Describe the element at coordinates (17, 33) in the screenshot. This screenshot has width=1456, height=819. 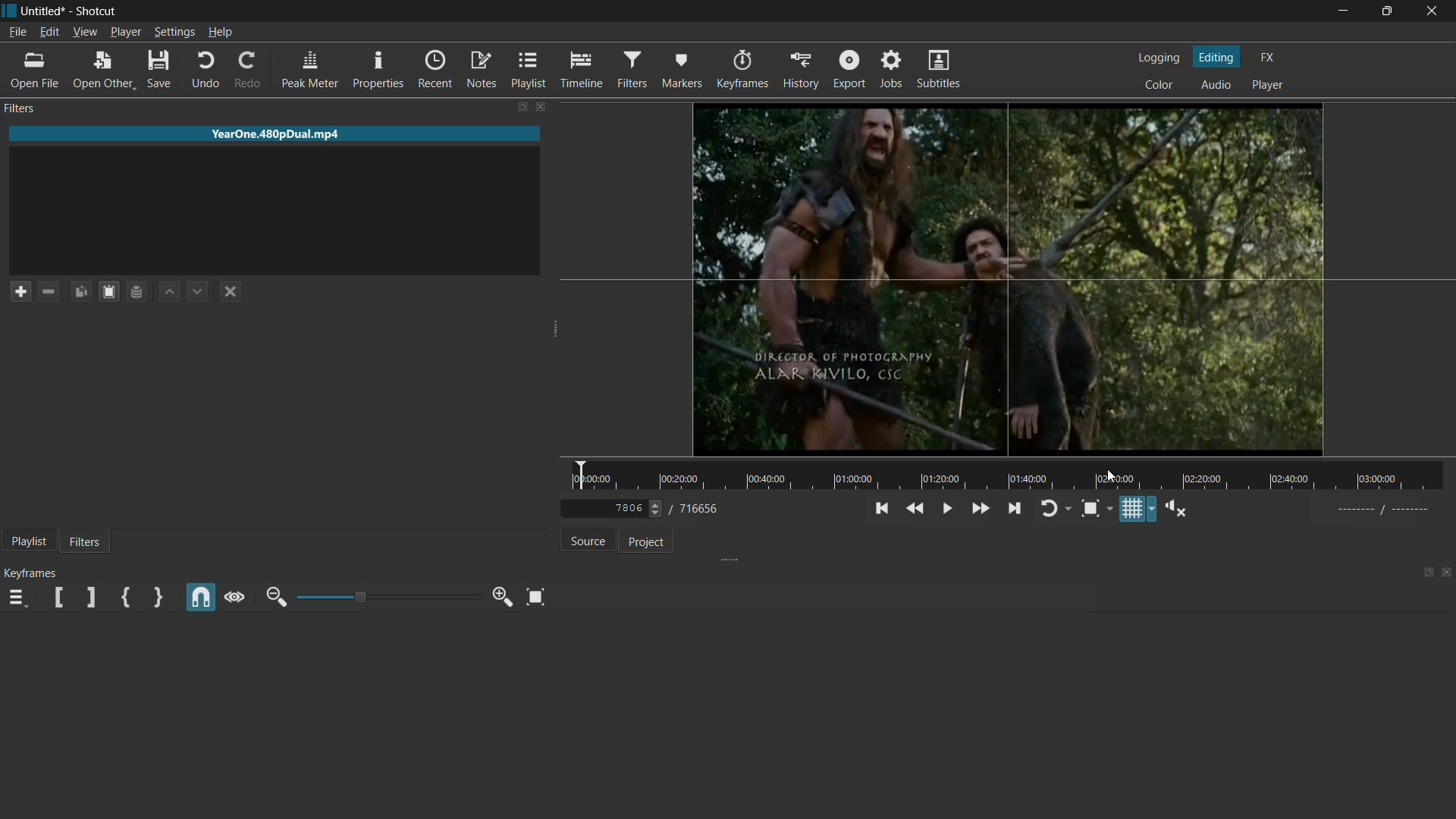
I see `file menu` at that location.